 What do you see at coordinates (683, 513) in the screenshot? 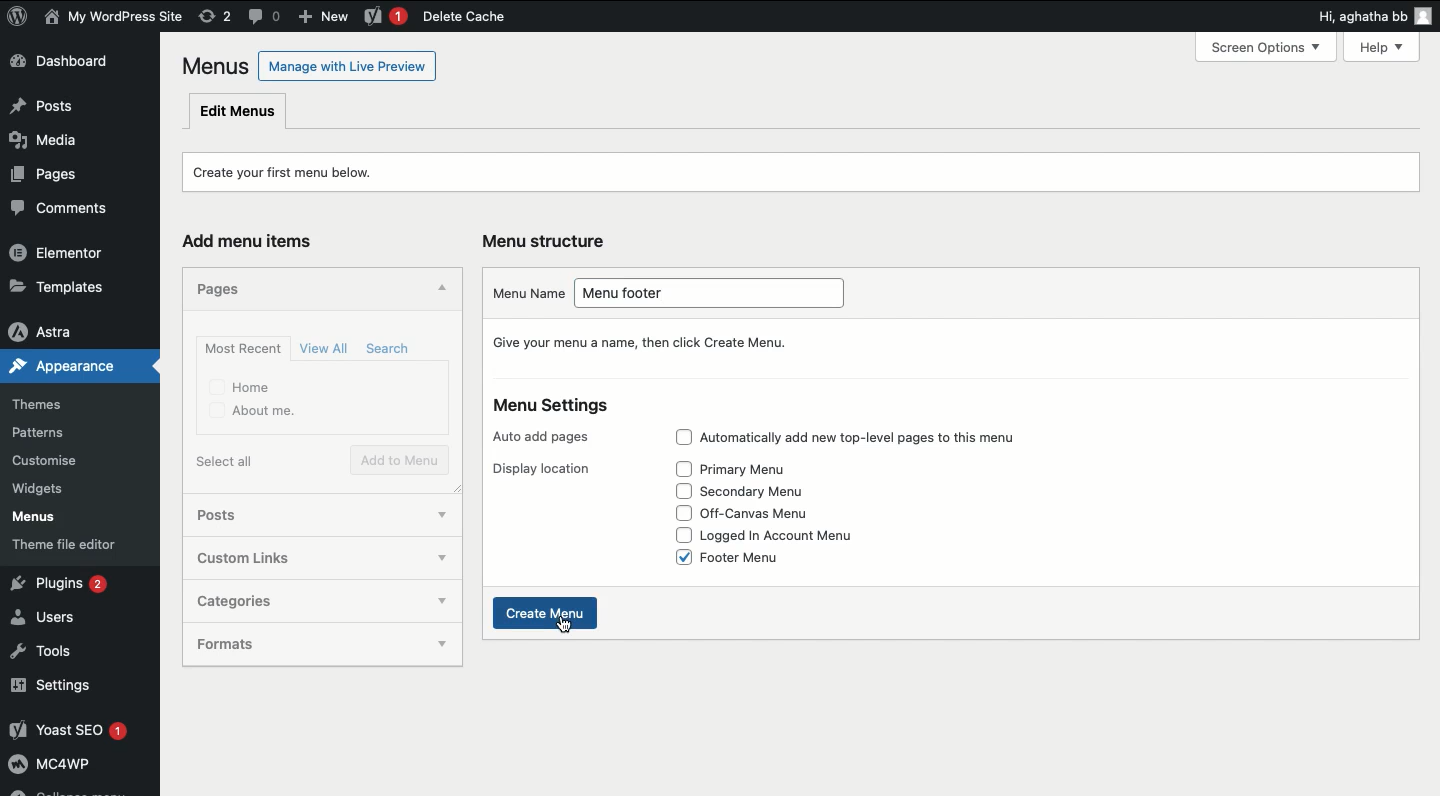
I see `Check box` at bounding box center [683, 513].